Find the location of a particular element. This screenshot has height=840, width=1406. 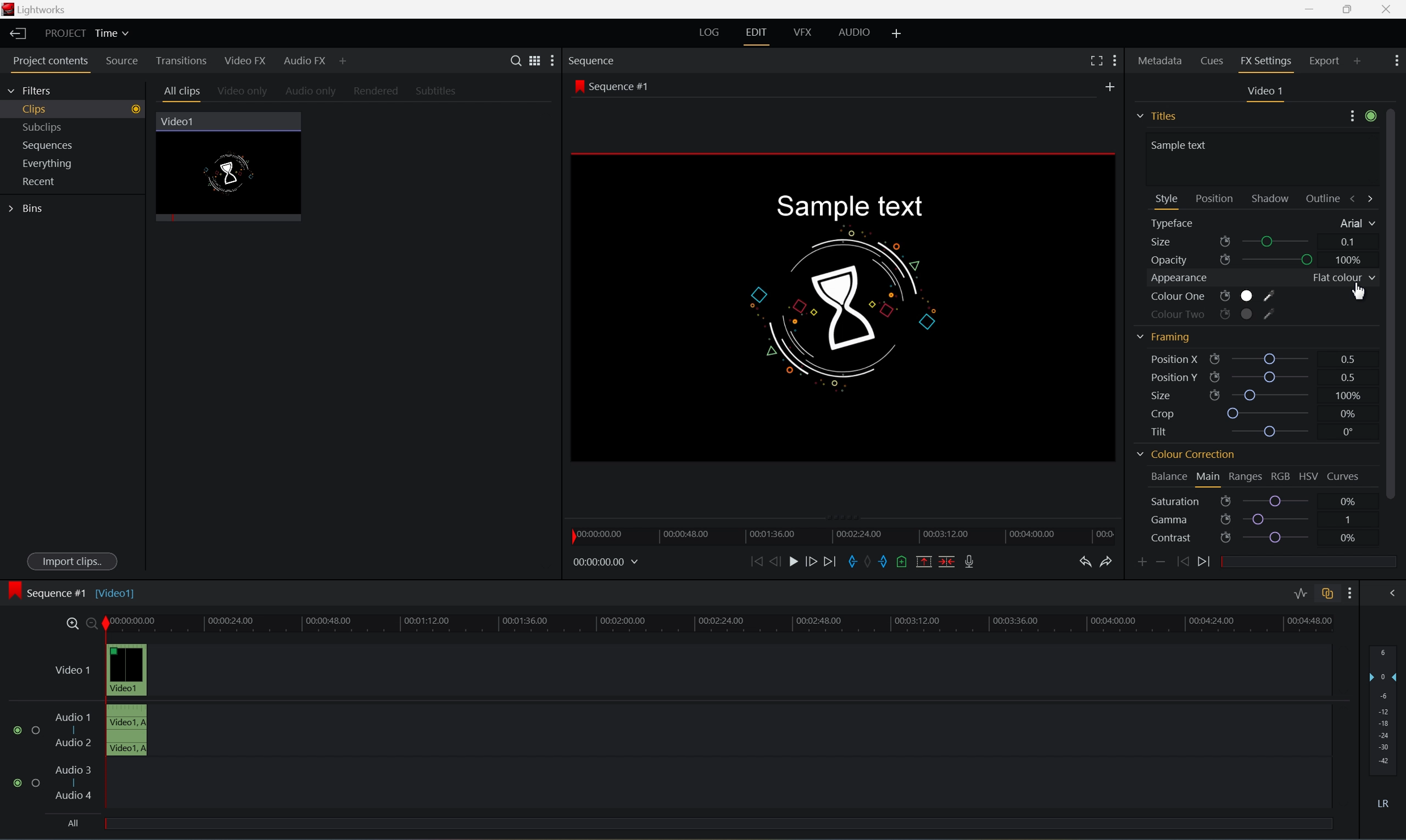

outline is located at coordinates (1326, 200).